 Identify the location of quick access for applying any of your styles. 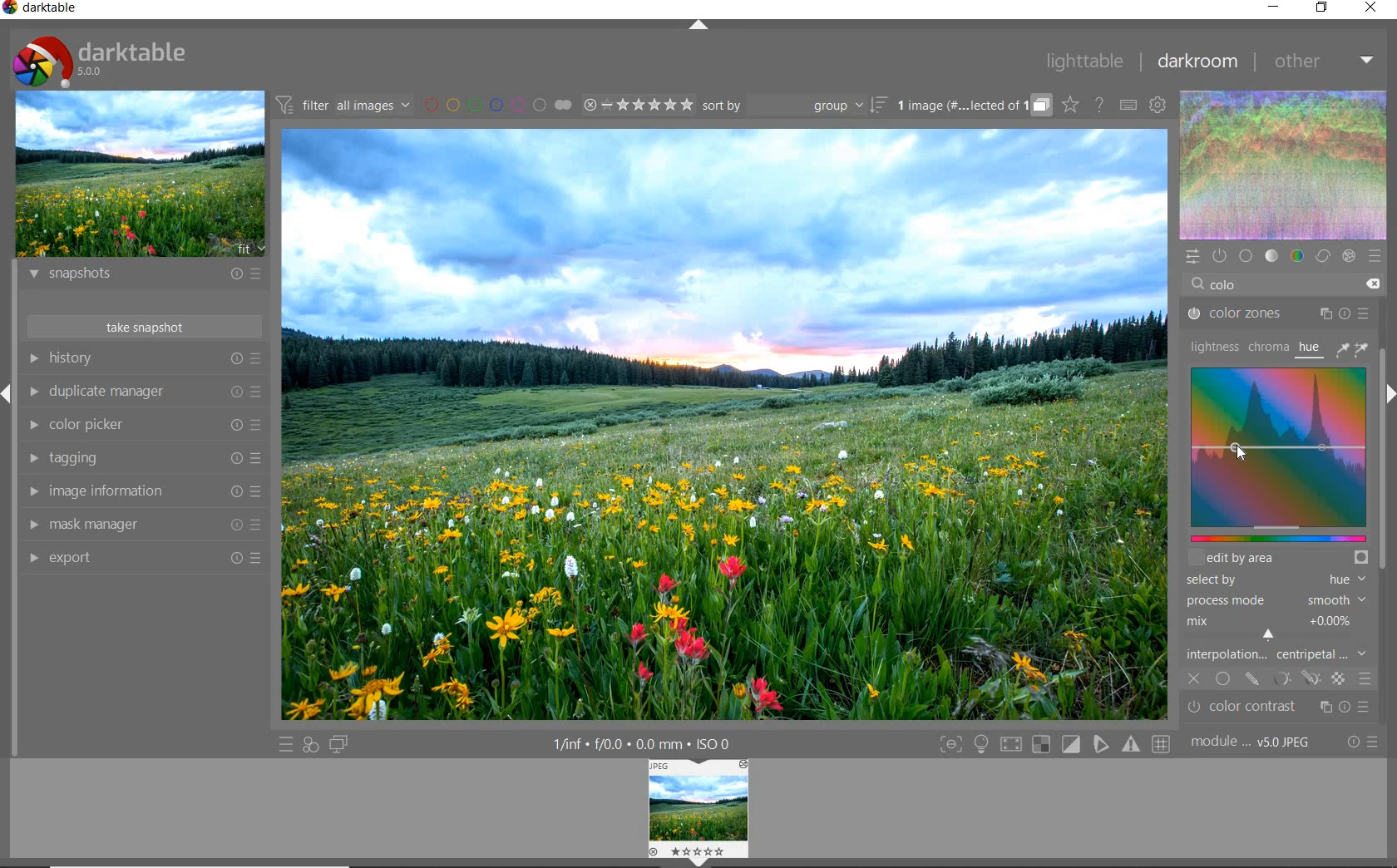
(311, 745).